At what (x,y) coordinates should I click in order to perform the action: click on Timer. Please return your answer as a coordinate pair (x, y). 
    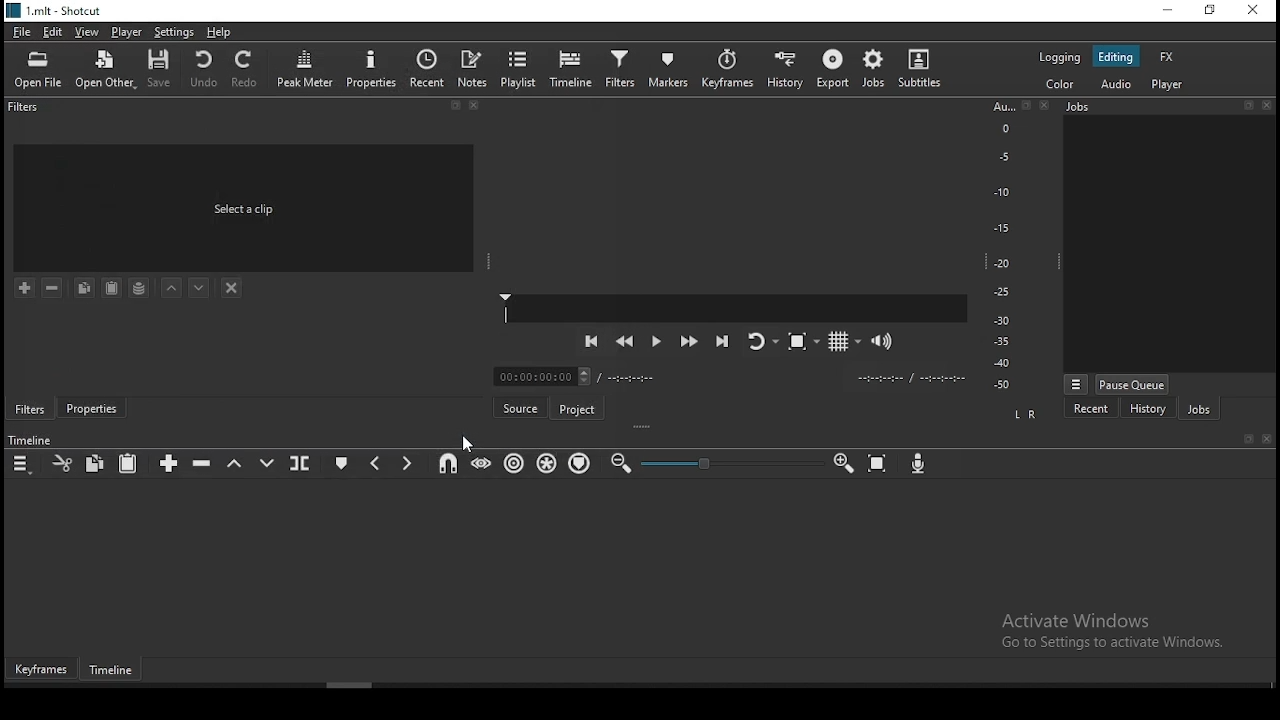
    Looking at the image, I should click on (732, 376).